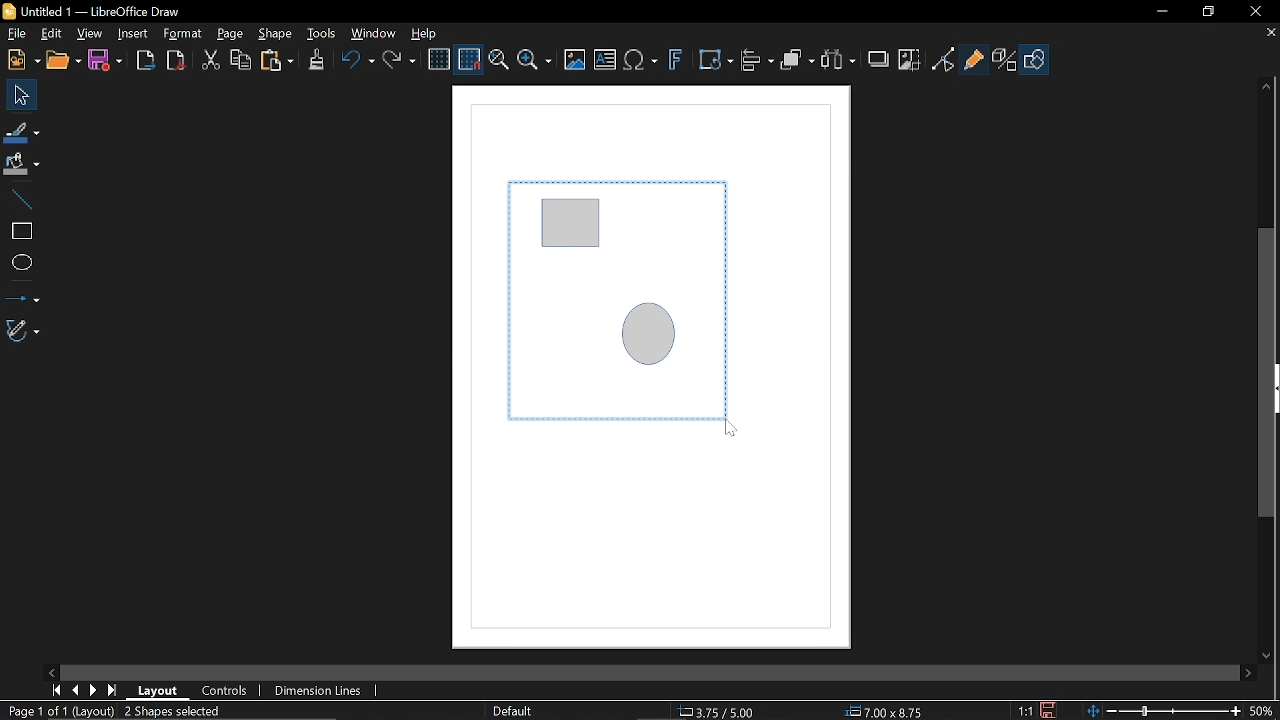 Image resolution: width=1280 pixels, height=720 pixels. What do you see at coordinates (277, 61) in the screenshot?
I see `Paste` at bounding box center [277, 61].